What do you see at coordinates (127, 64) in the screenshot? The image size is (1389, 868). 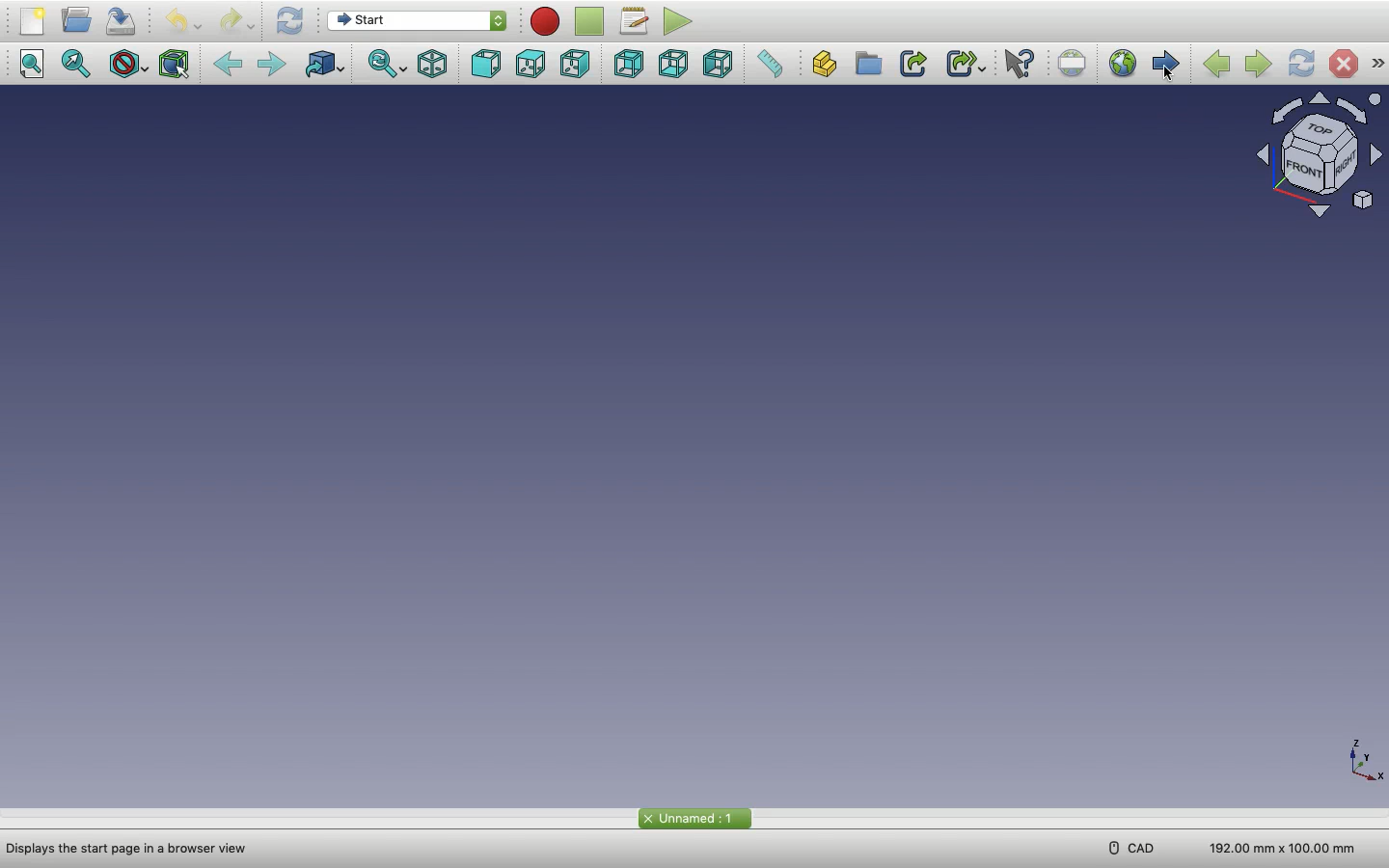 I see `Draw style` at bounding box center [127, 64].